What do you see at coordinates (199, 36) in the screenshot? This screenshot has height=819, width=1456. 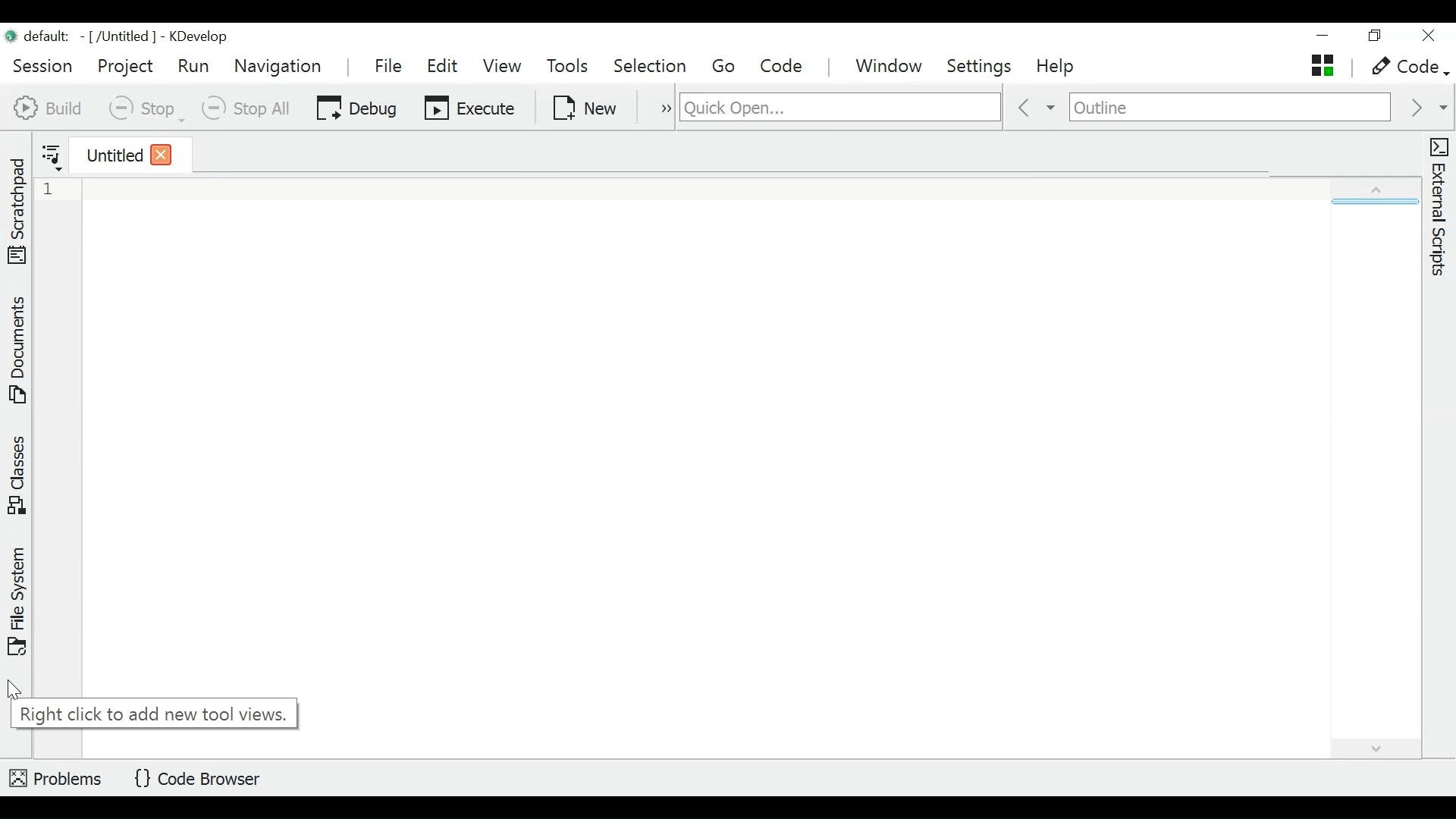 I see `KDevelop` at bounding box center [199, 36].